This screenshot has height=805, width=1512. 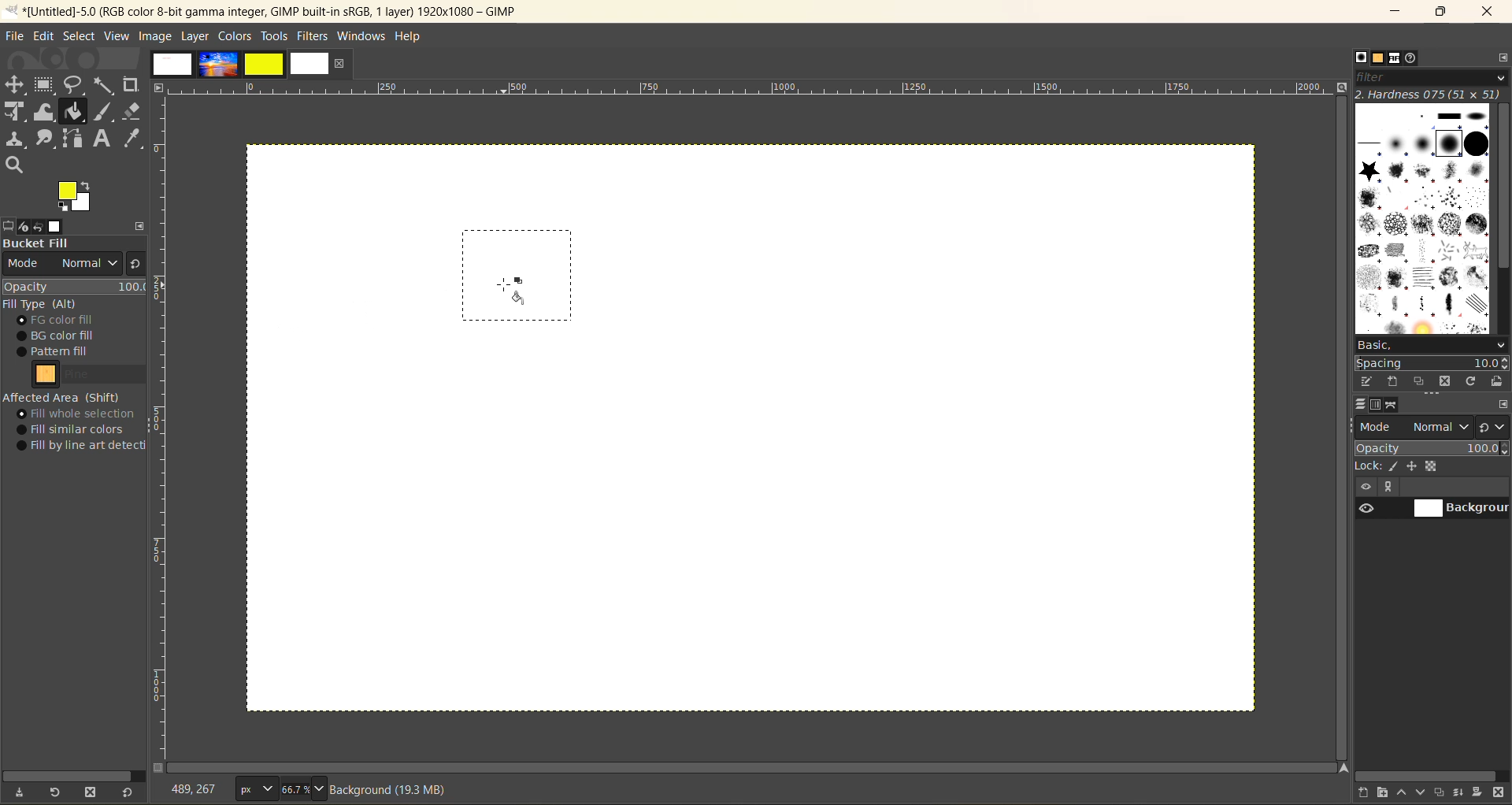 What do you see at coordinates (1501, 61) in the screenshot?
I see `configure` at bounding box center [1501, 61].